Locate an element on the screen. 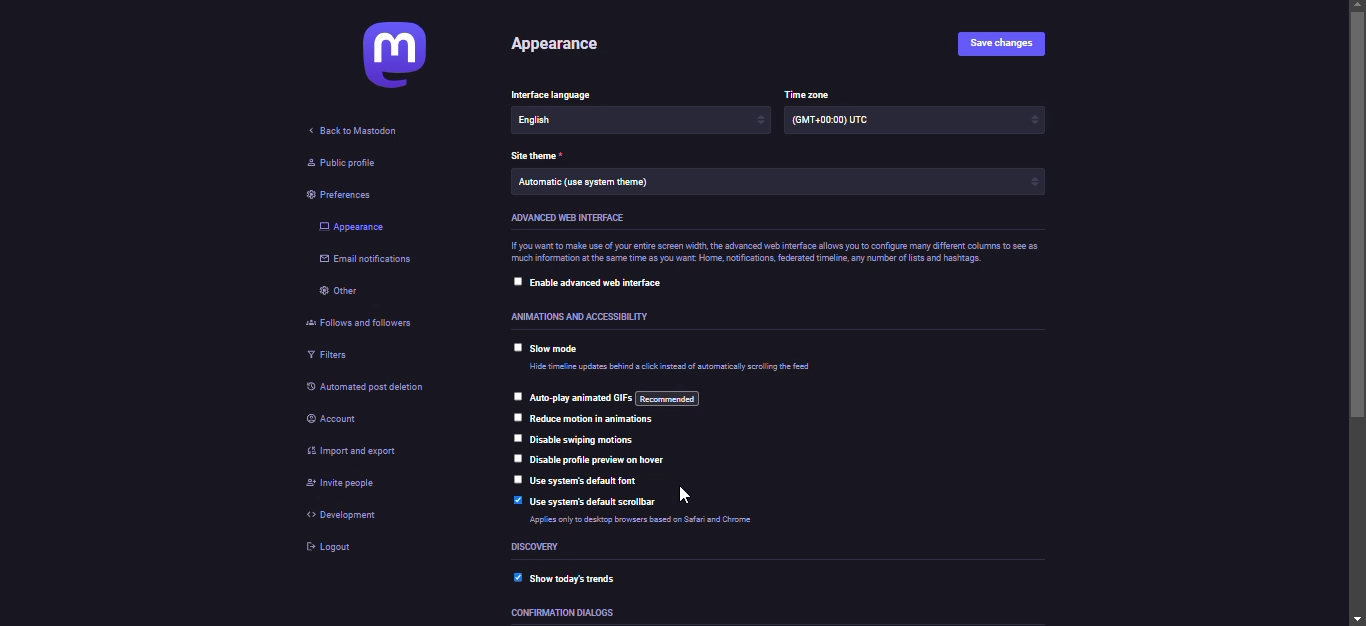  click to select is located at coordinates (516, 396).